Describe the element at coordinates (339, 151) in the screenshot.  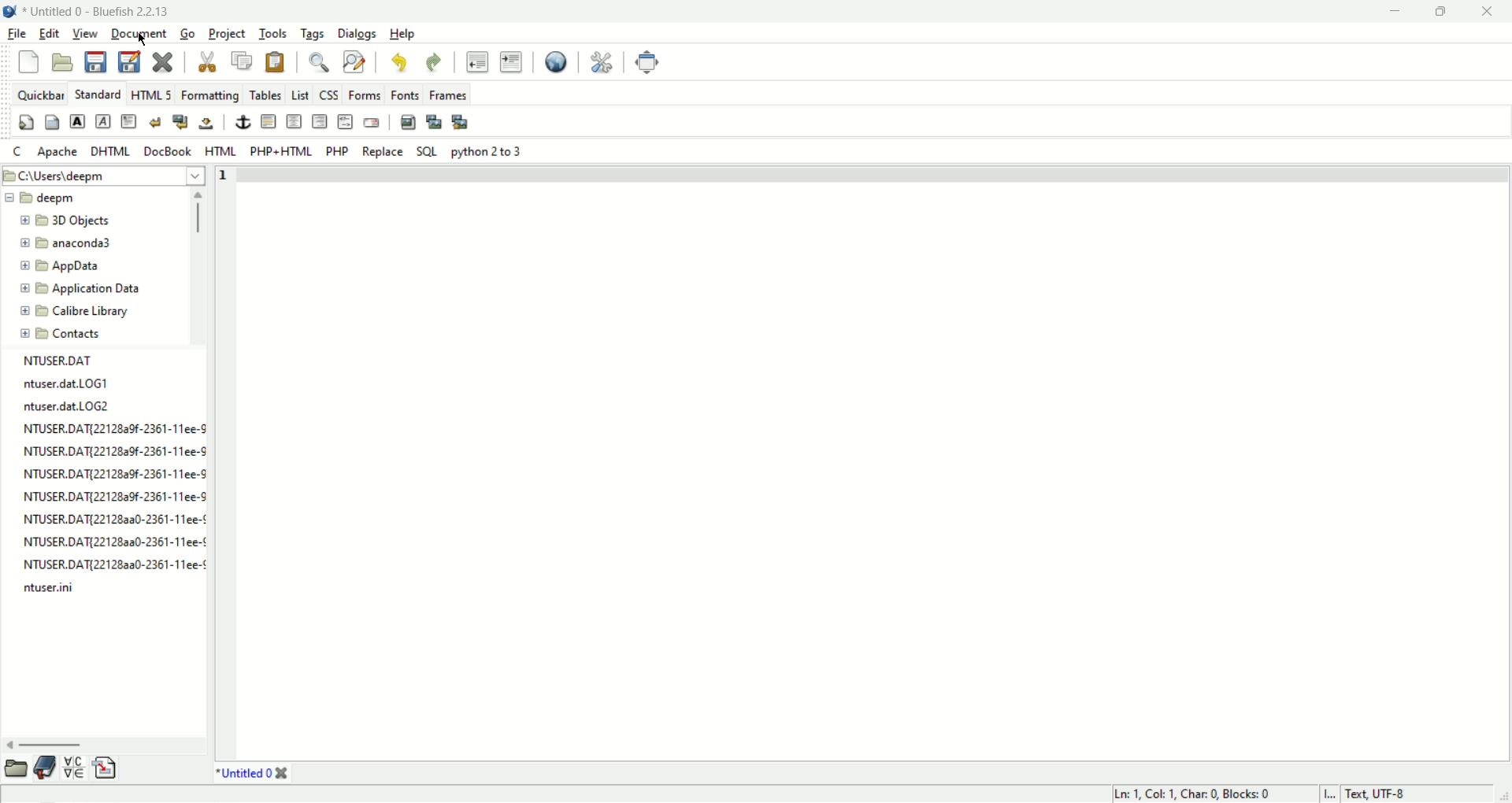
I see `PHP` at that location.